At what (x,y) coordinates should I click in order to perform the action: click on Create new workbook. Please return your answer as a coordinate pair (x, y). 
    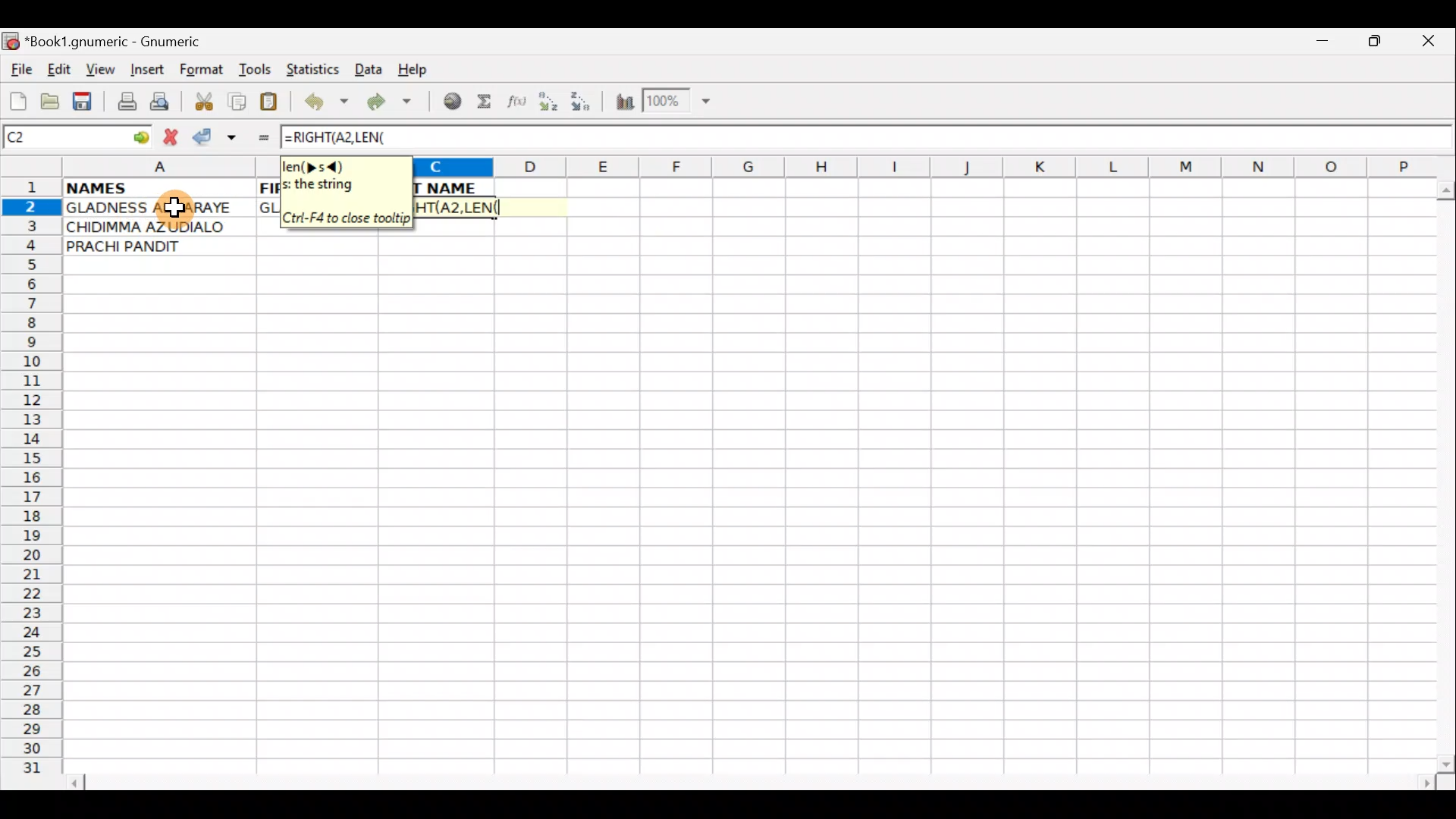
    Looking at the image, I should click on (17, 99).